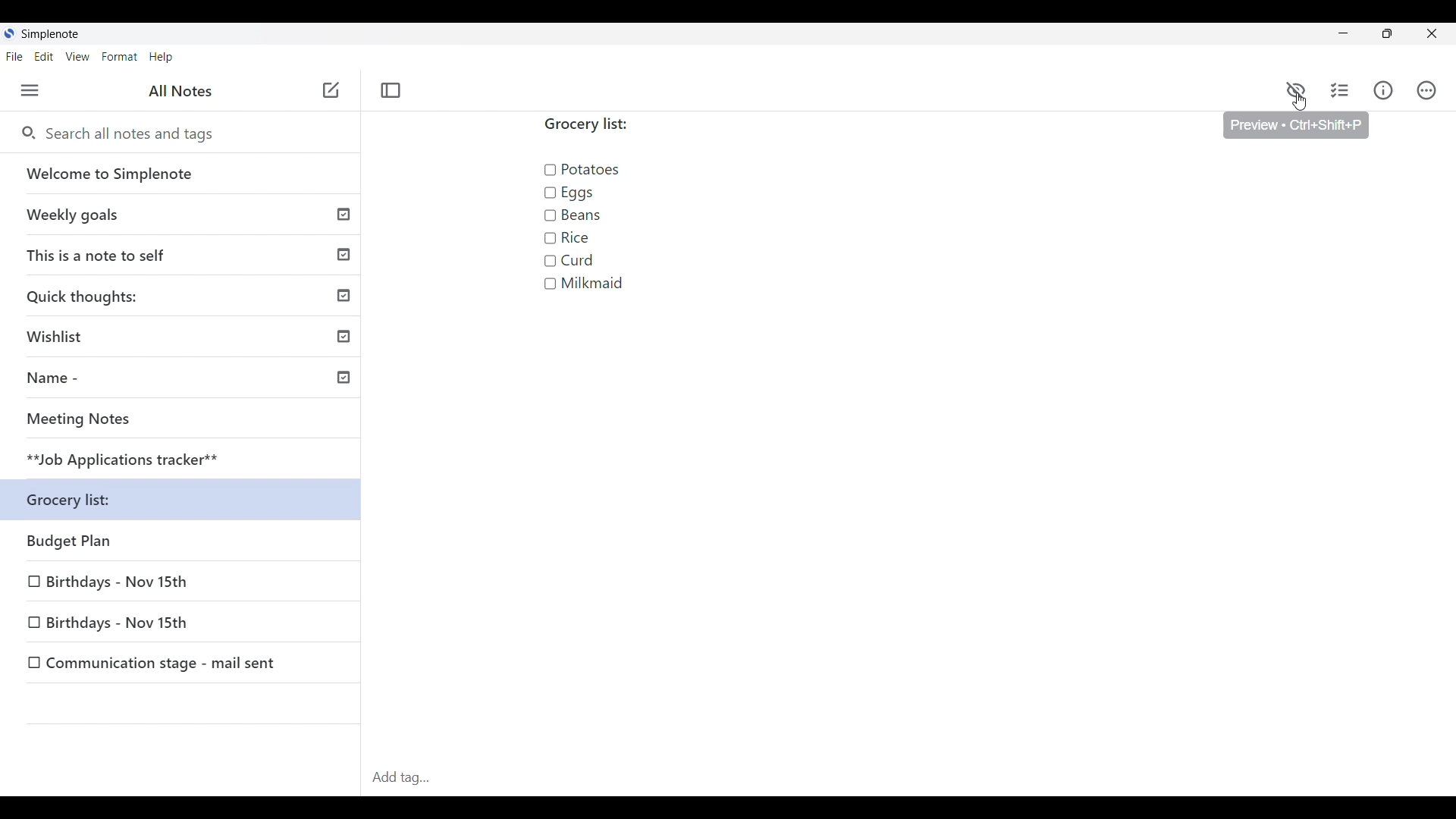 The width and height of the screenshot is (1456, 819). Describe the element at coordinates (185, 174) in the screenshot. I see `Welcome to Simplenote` at that location.